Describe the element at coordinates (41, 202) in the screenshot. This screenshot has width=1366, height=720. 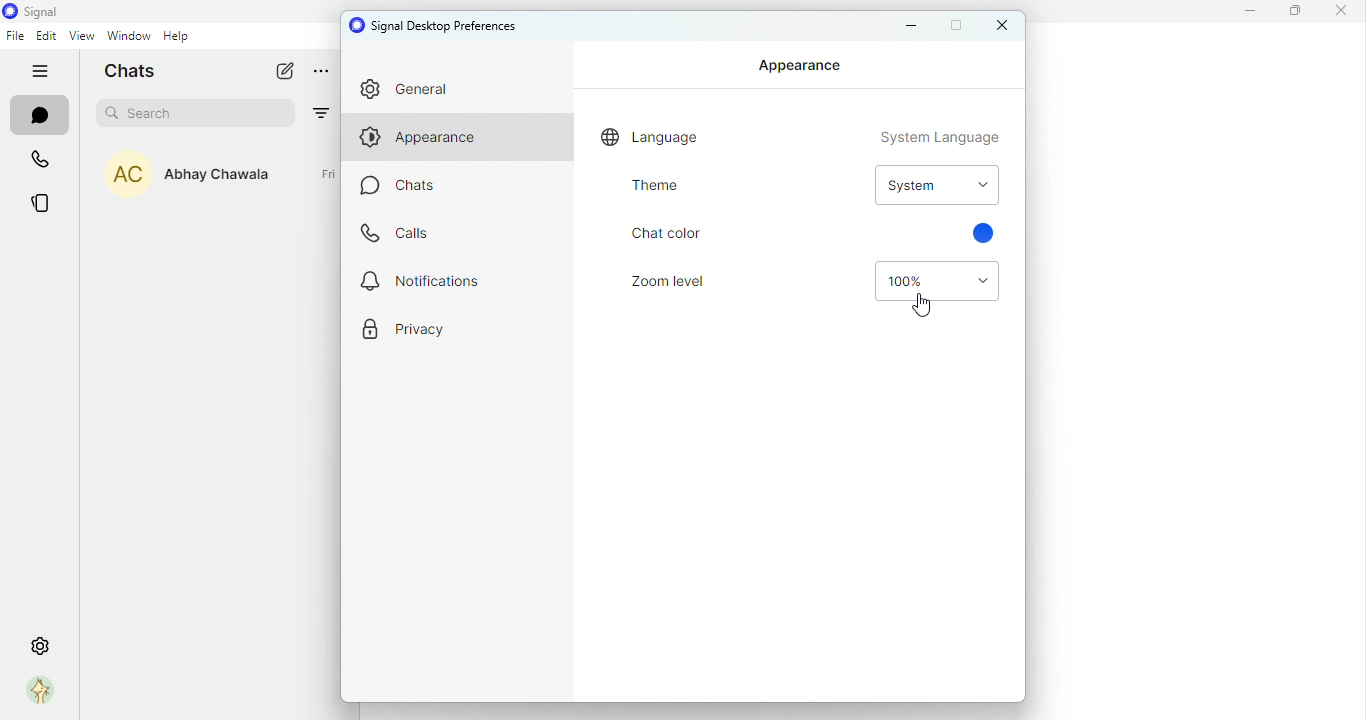
I see `stories` at that location.